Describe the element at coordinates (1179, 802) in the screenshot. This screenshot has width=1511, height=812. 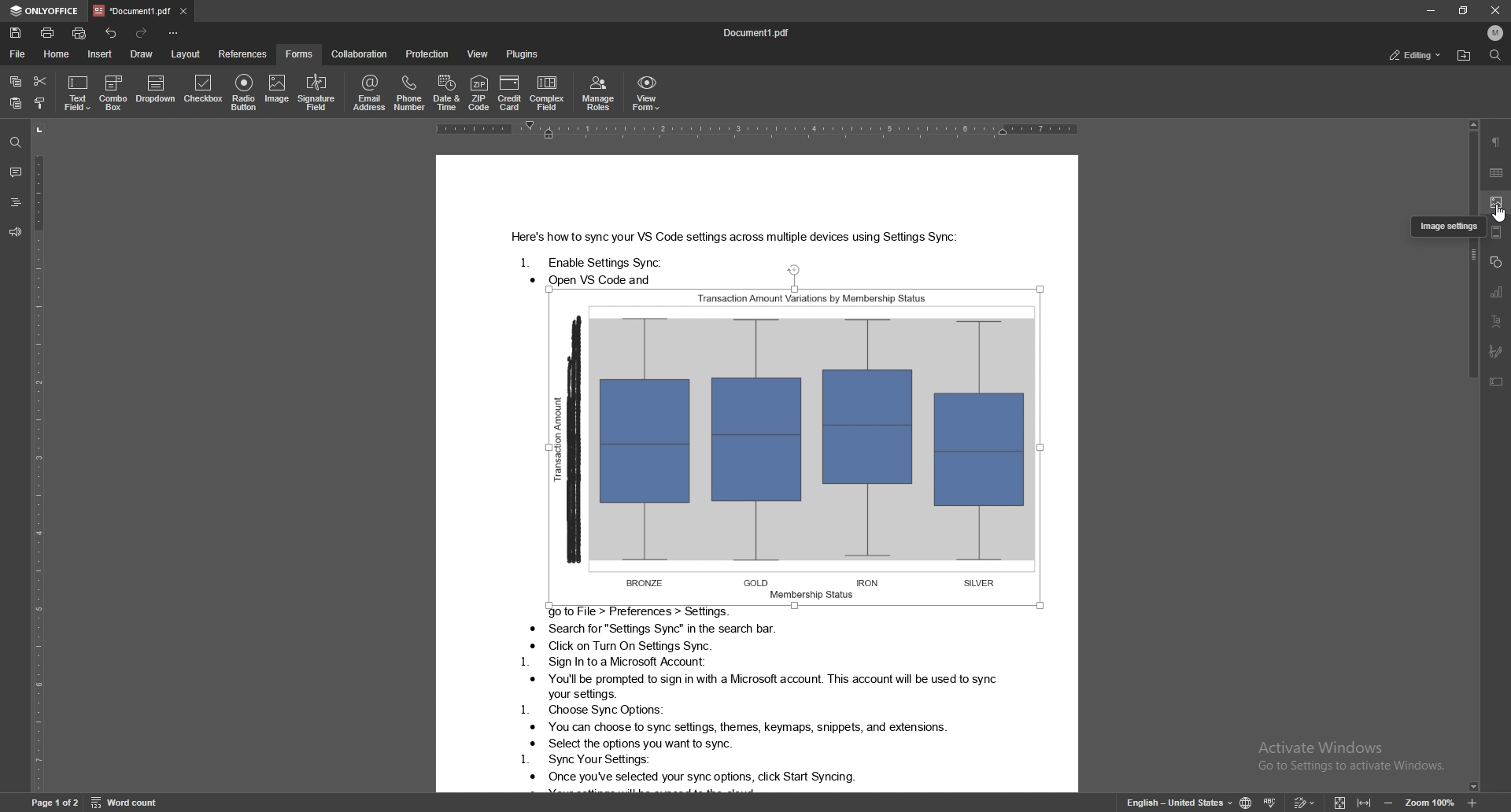
I see `change text language` at that location.